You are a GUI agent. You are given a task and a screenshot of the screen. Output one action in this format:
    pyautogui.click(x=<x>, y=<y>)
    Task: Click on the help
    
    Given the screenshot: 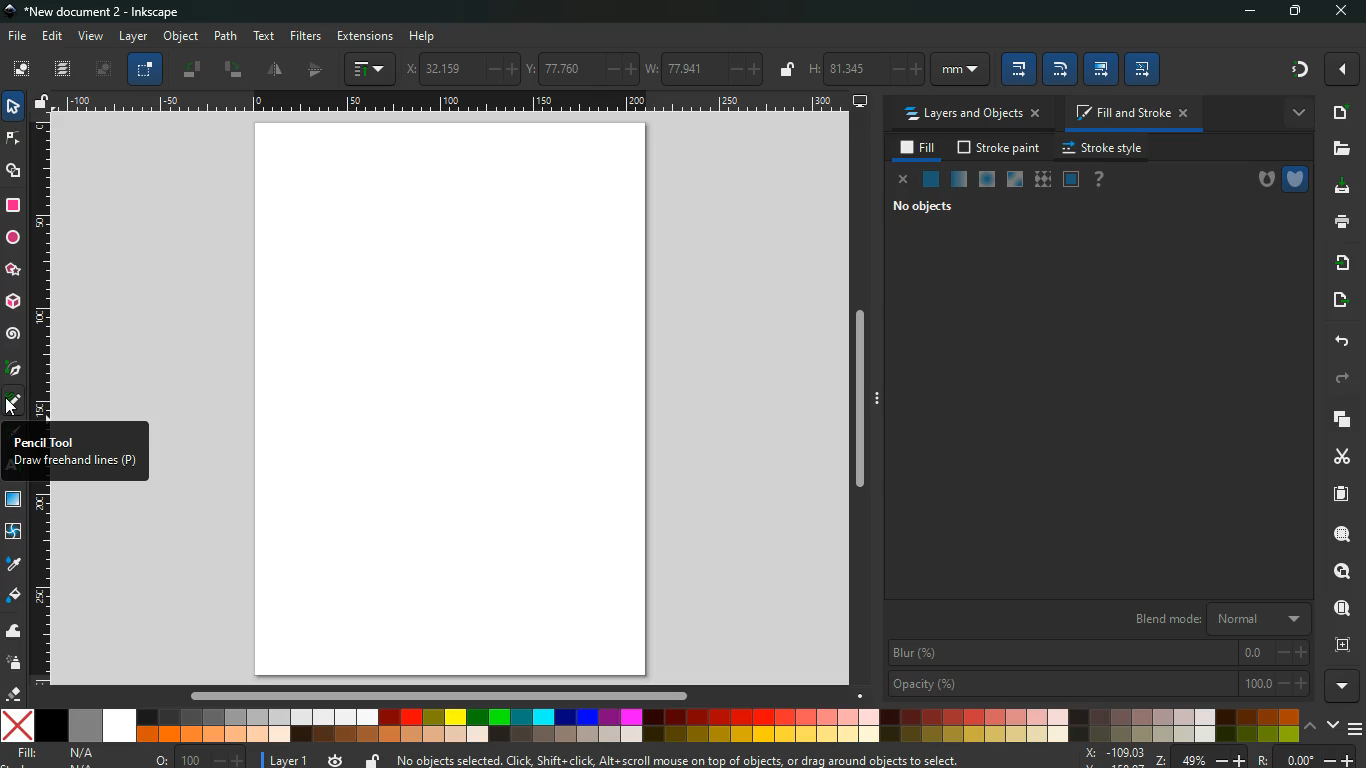 What is the action you would take?
    pyautogui.click(x=1103, y=180)
    